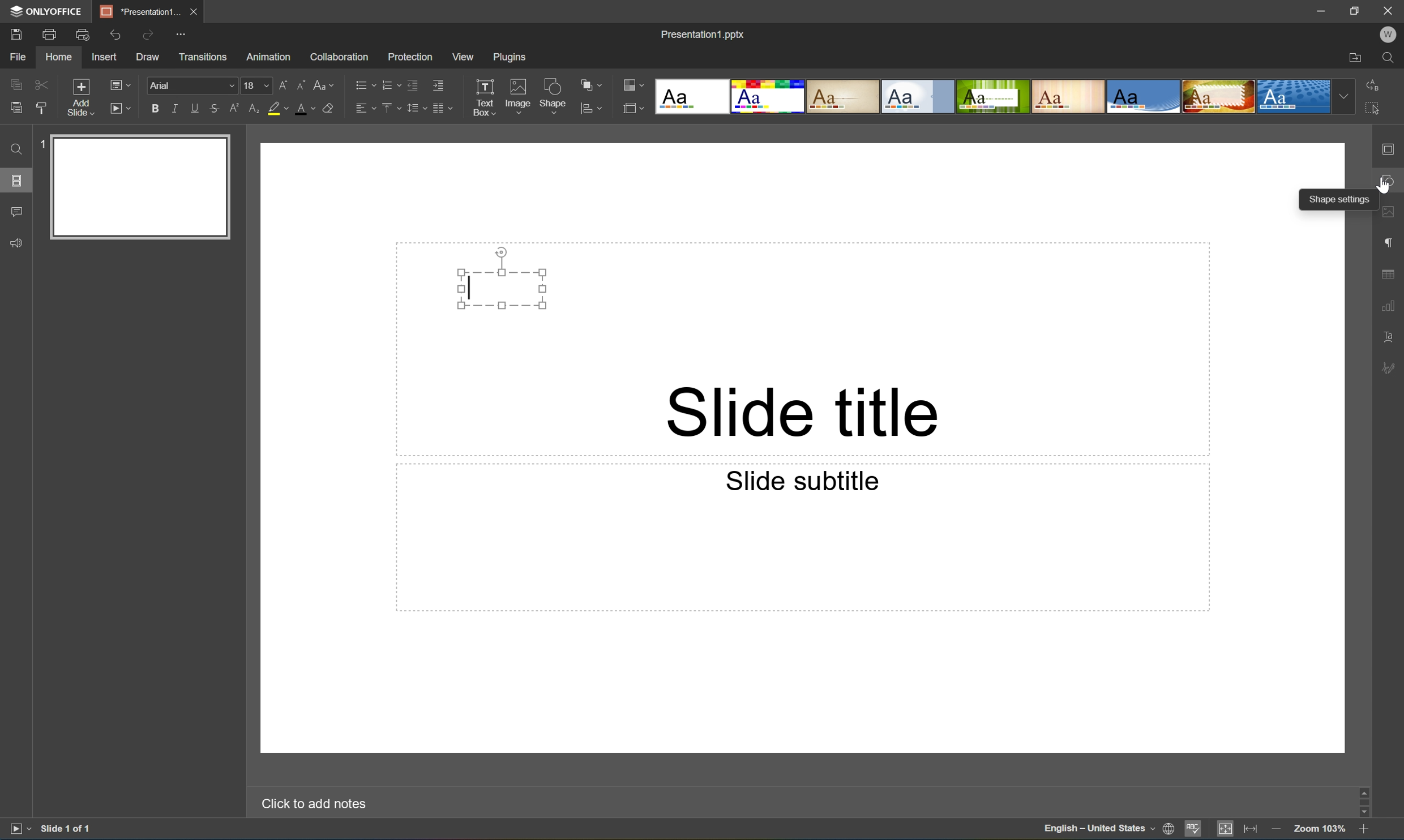 The height and width of the screenshot is (840, 1404). I want to click on Underline, so click(195, 106).